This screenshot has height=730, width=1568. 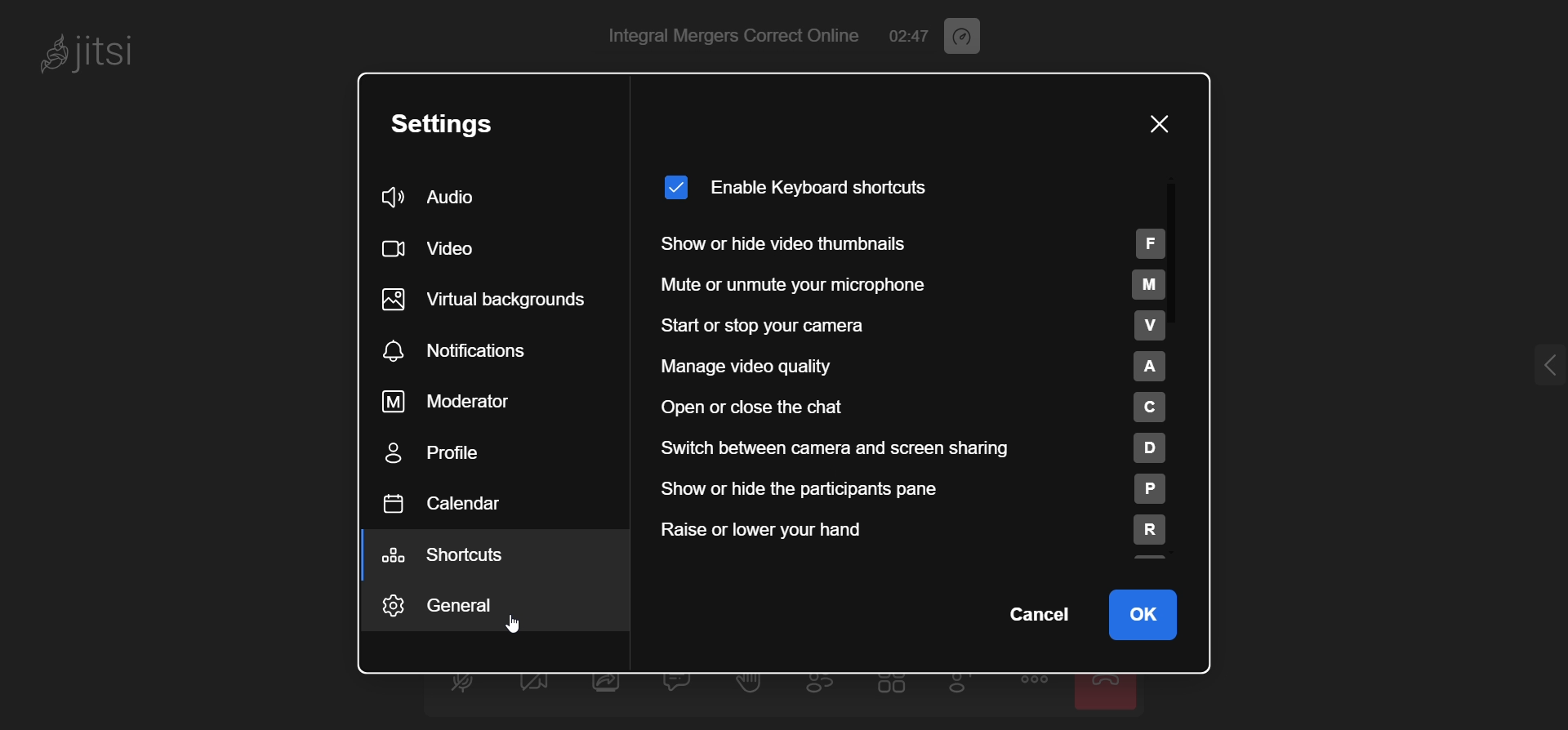 What do you see at coordinates (457, 680) in the screenshot?
I see `unmute your mic` at bounding box center [457, 680].